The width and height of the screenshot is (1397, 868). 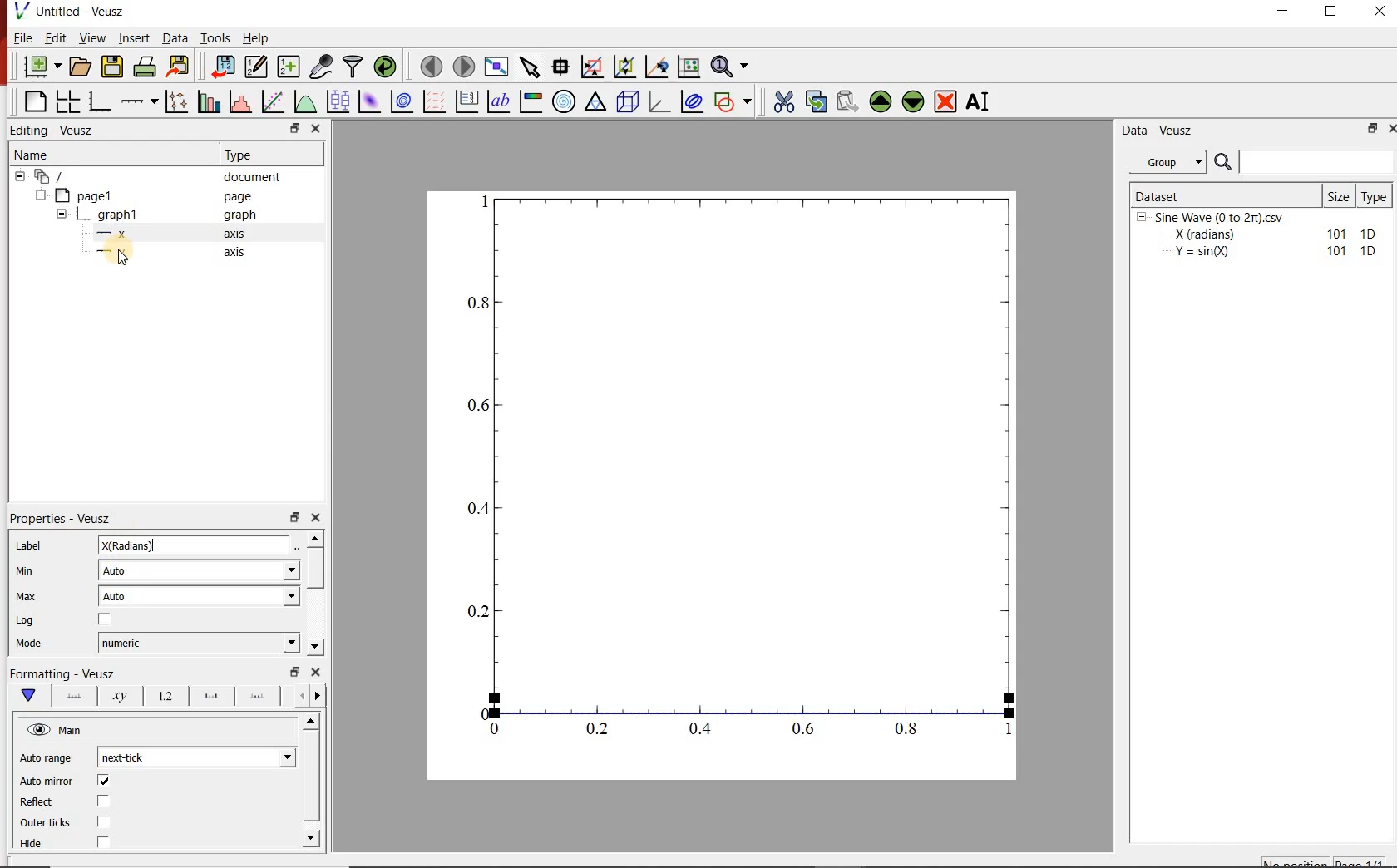 I want to click on plot covariance ellipses, so click(x=691, y=101).